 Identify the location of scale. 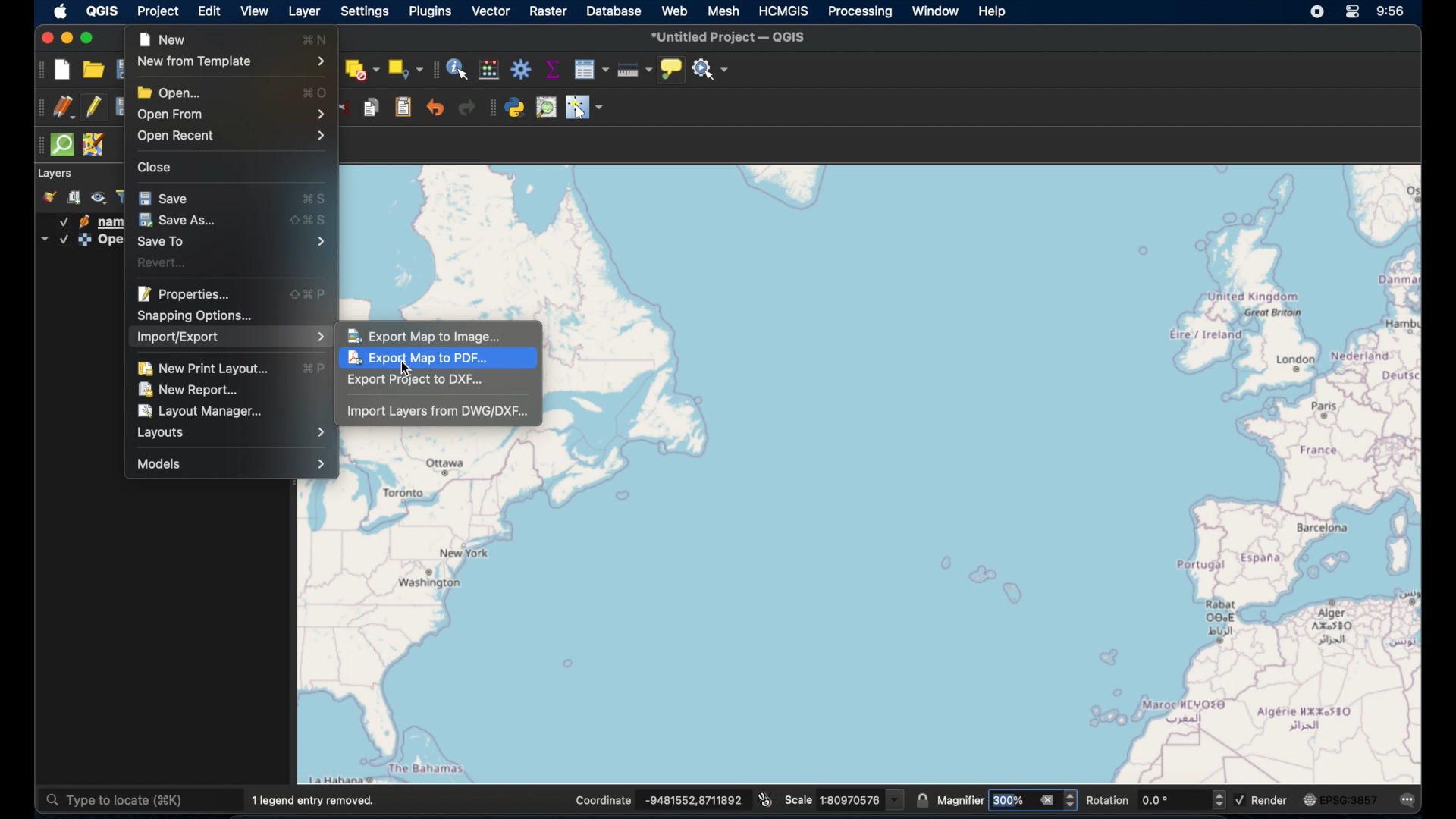
(846, 799).